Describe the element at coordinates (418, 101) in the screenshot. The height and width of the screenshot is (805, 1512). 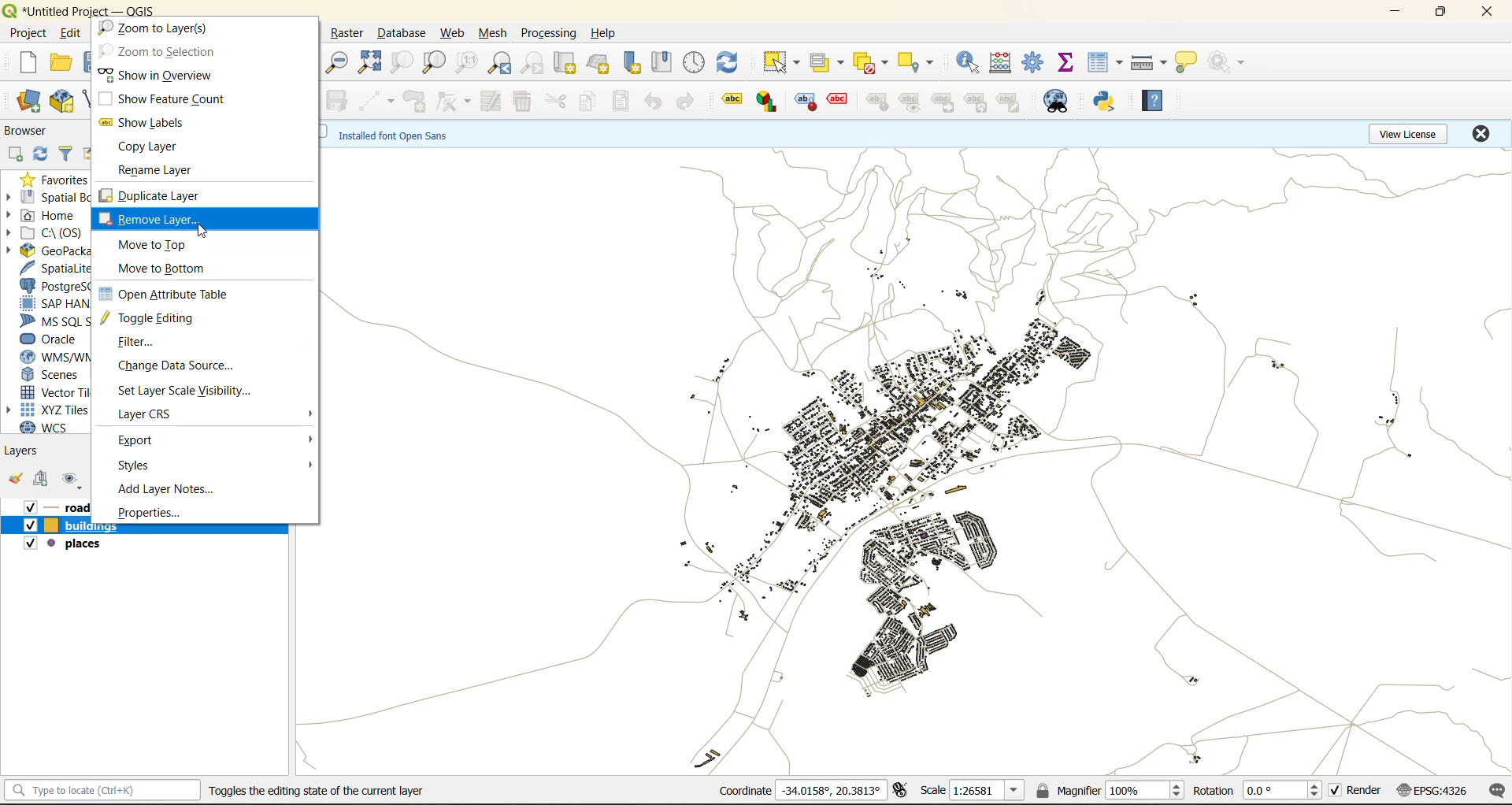
I see `add polygon` at that location.